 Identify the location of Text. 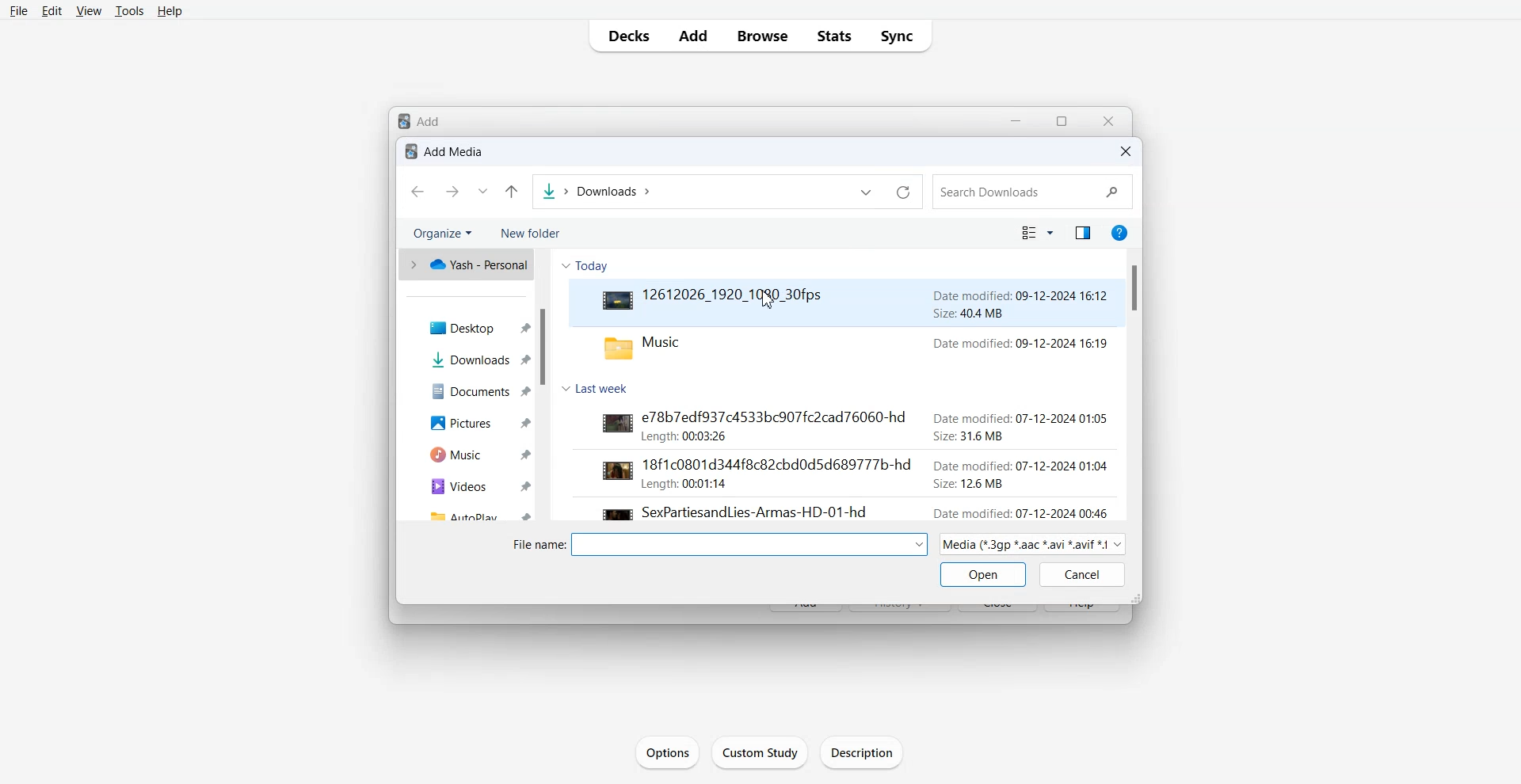
(450, 152).